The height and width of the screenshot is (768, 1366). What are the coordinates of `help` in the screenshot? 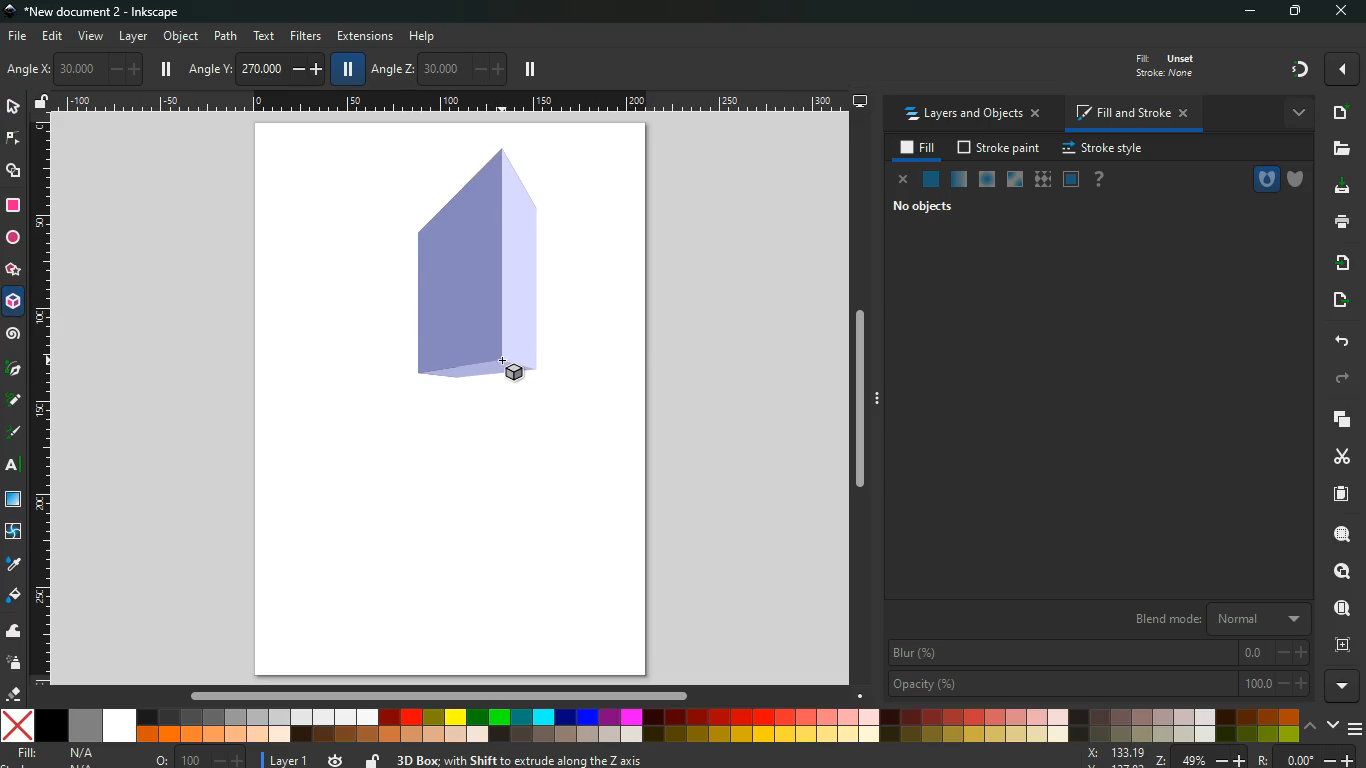 It's located at (1098, 180).